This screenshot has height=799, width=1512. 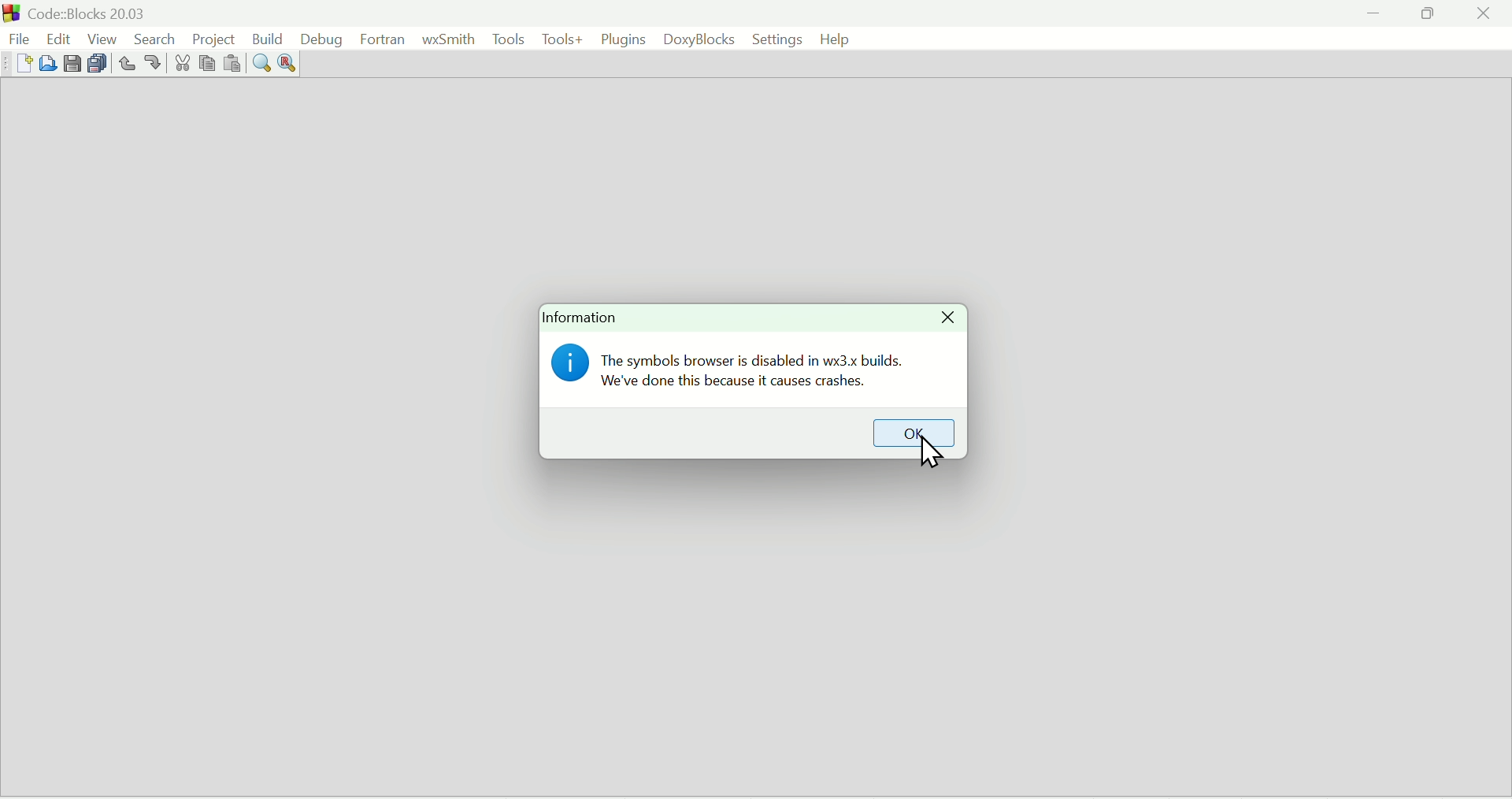 I want to click on Close, so click(x=947, y=318).